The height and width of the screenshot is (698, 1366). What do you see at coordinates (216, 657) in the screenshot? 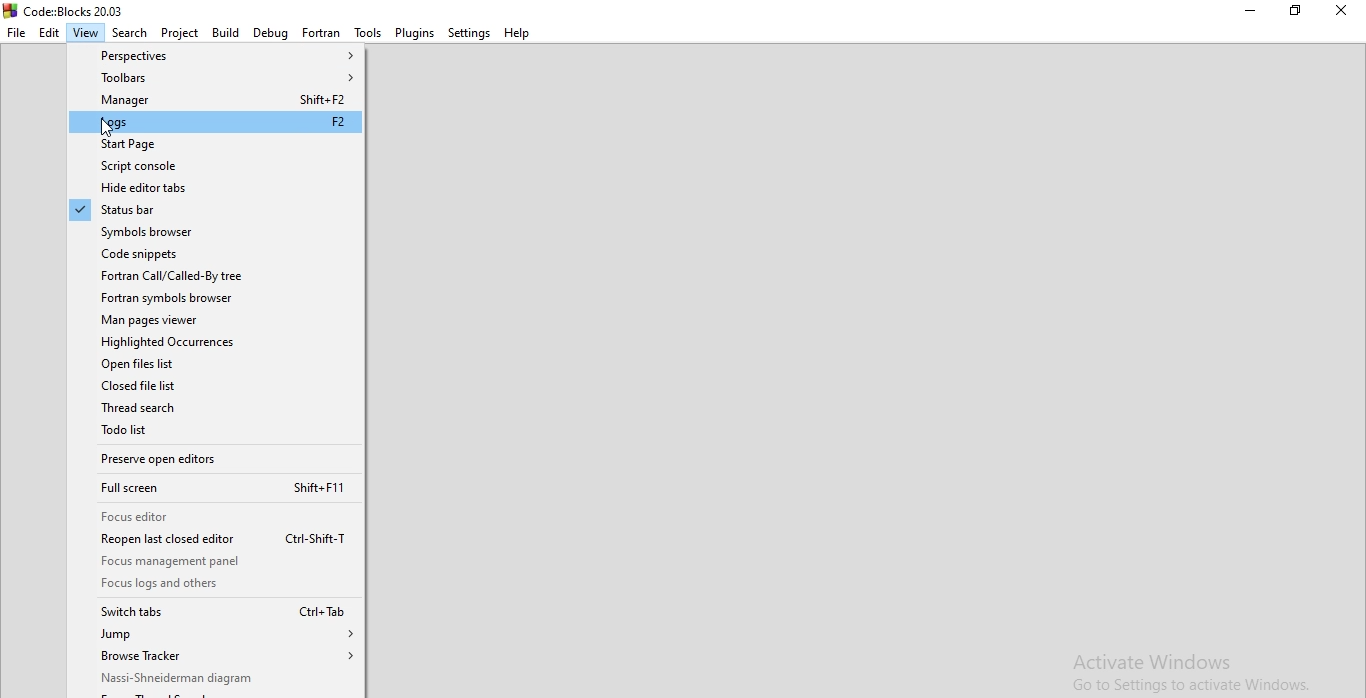
I see `browse tracker` at bounding box center [216, 657].